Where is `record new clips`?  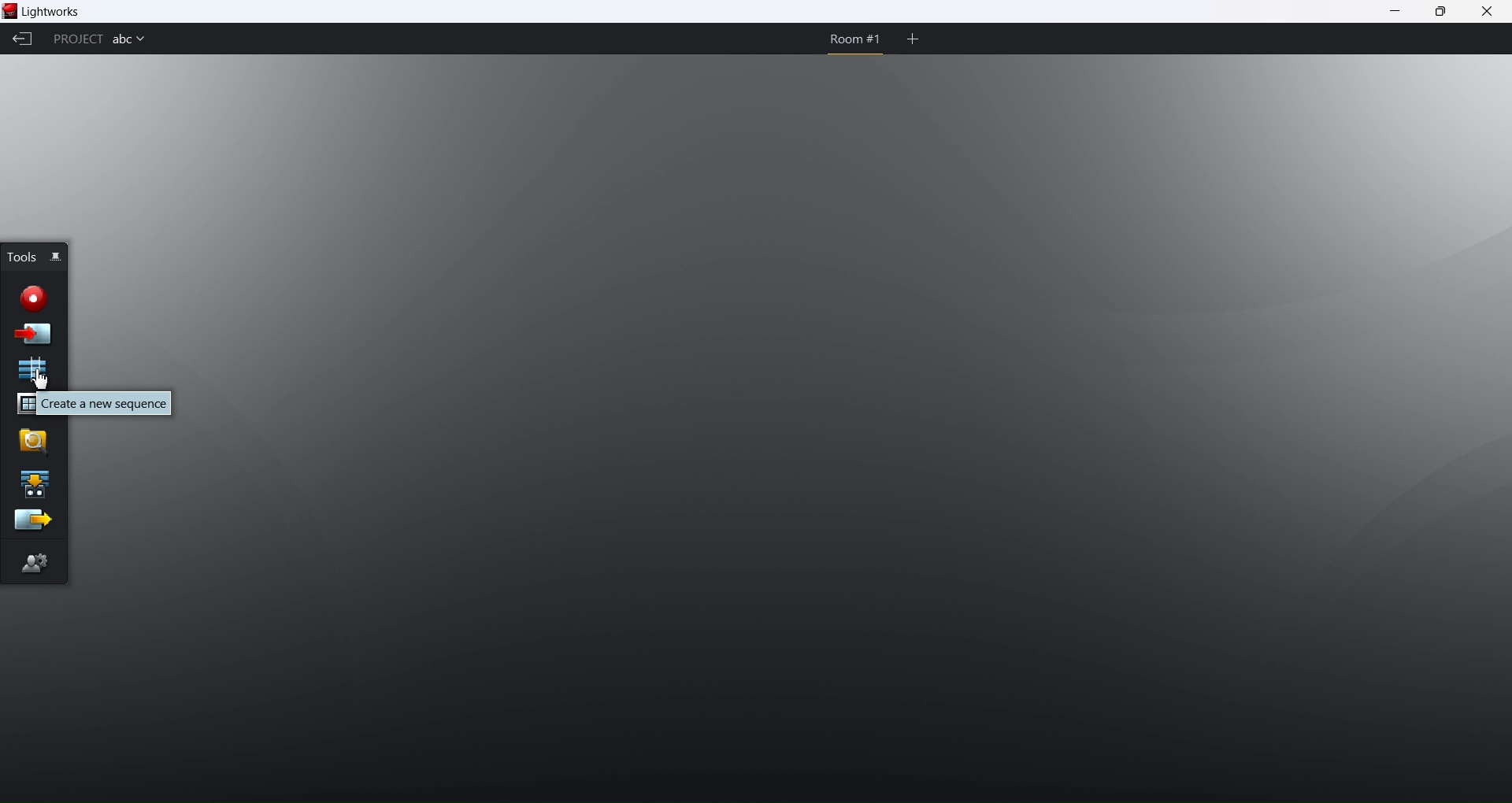
record new clips is located at coordinates (36, 298).